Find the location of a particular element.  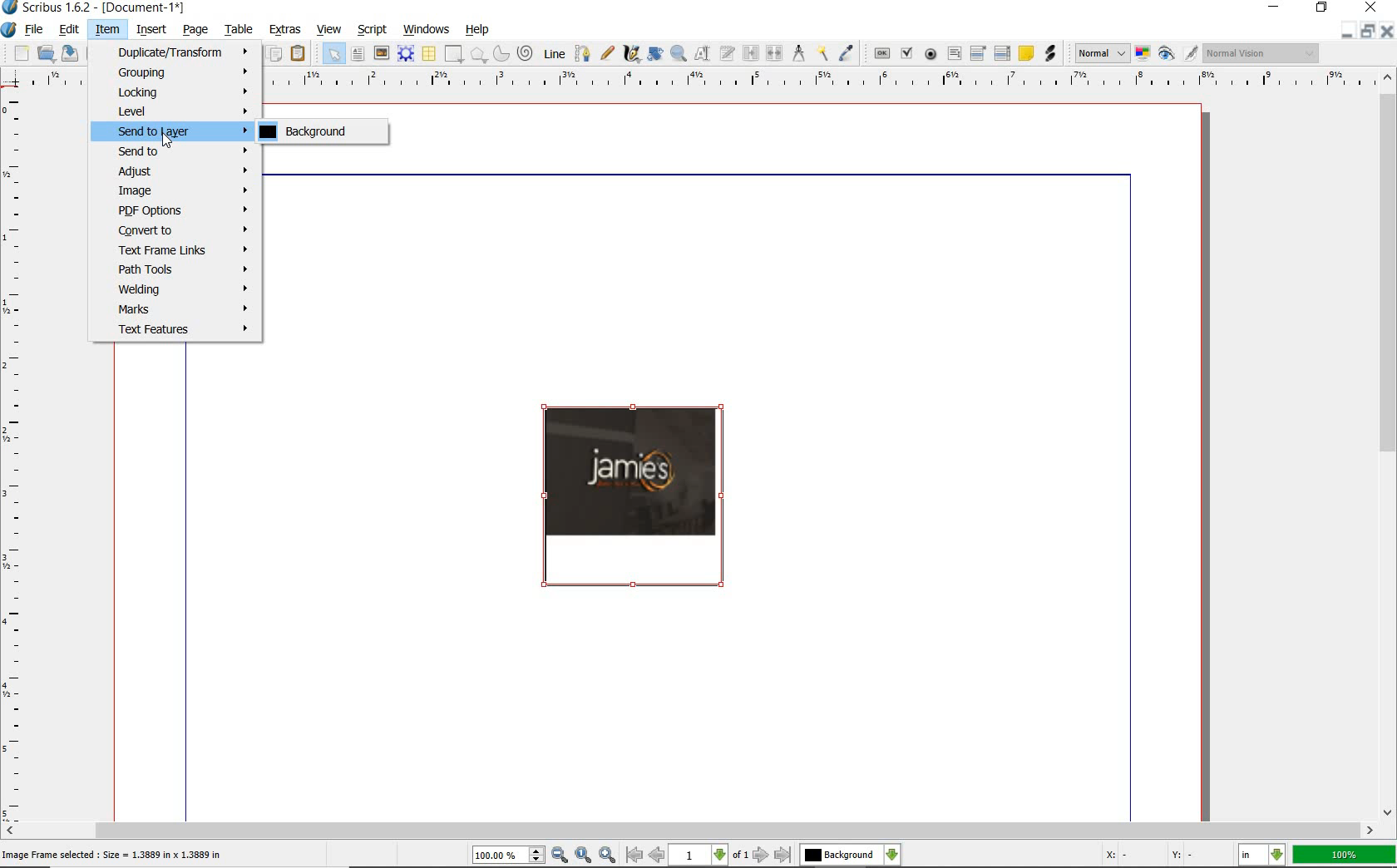

pdf combo box is located at coordinates (979, 53).